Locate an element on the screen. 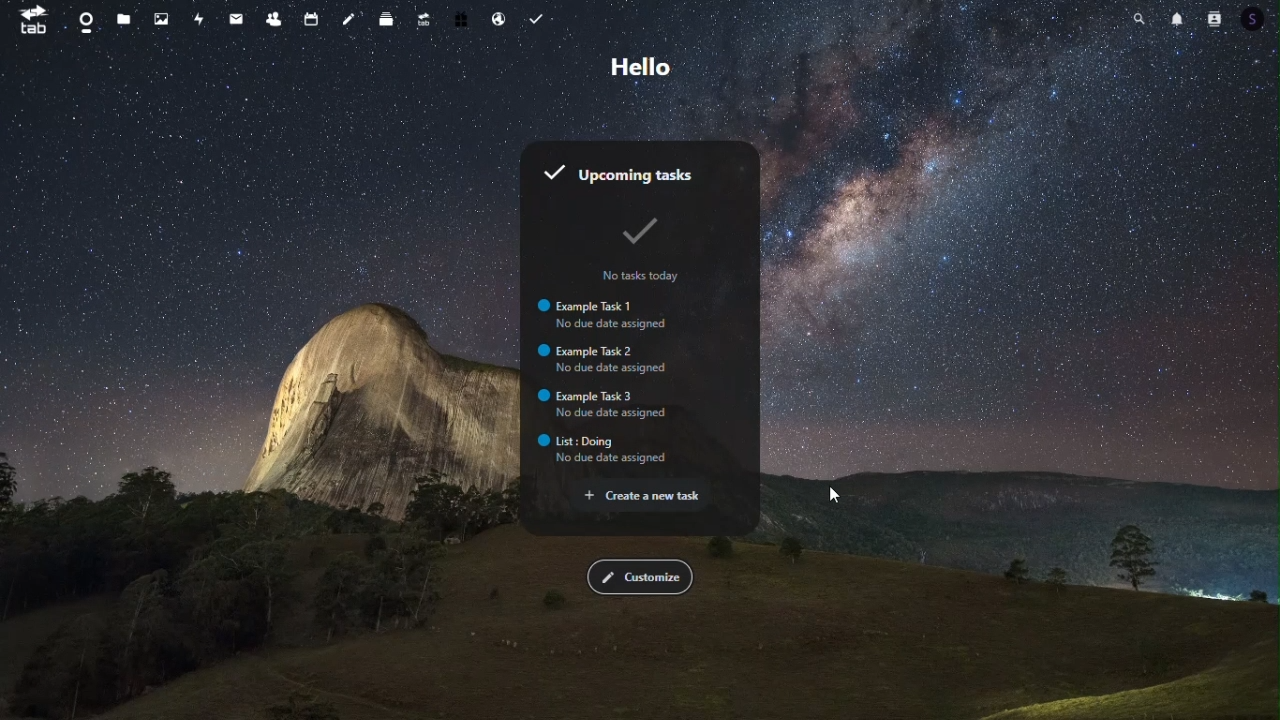  search is located at coordinates (1140, 20).